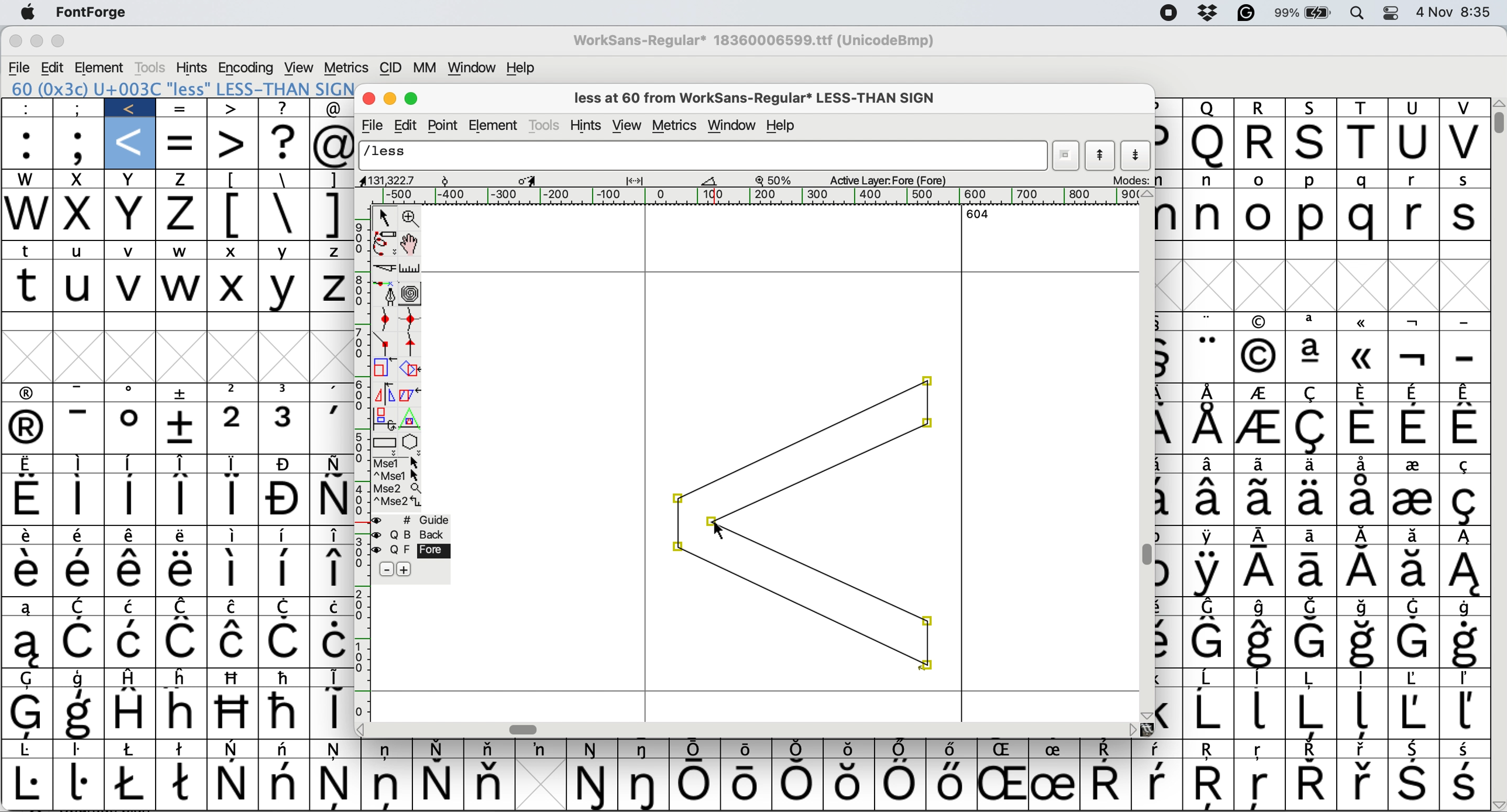 The image size is (1507, 812). What do you see at coordinates (627, 124) in the screenshot?
I see `view` at bounding box center [627, 124].